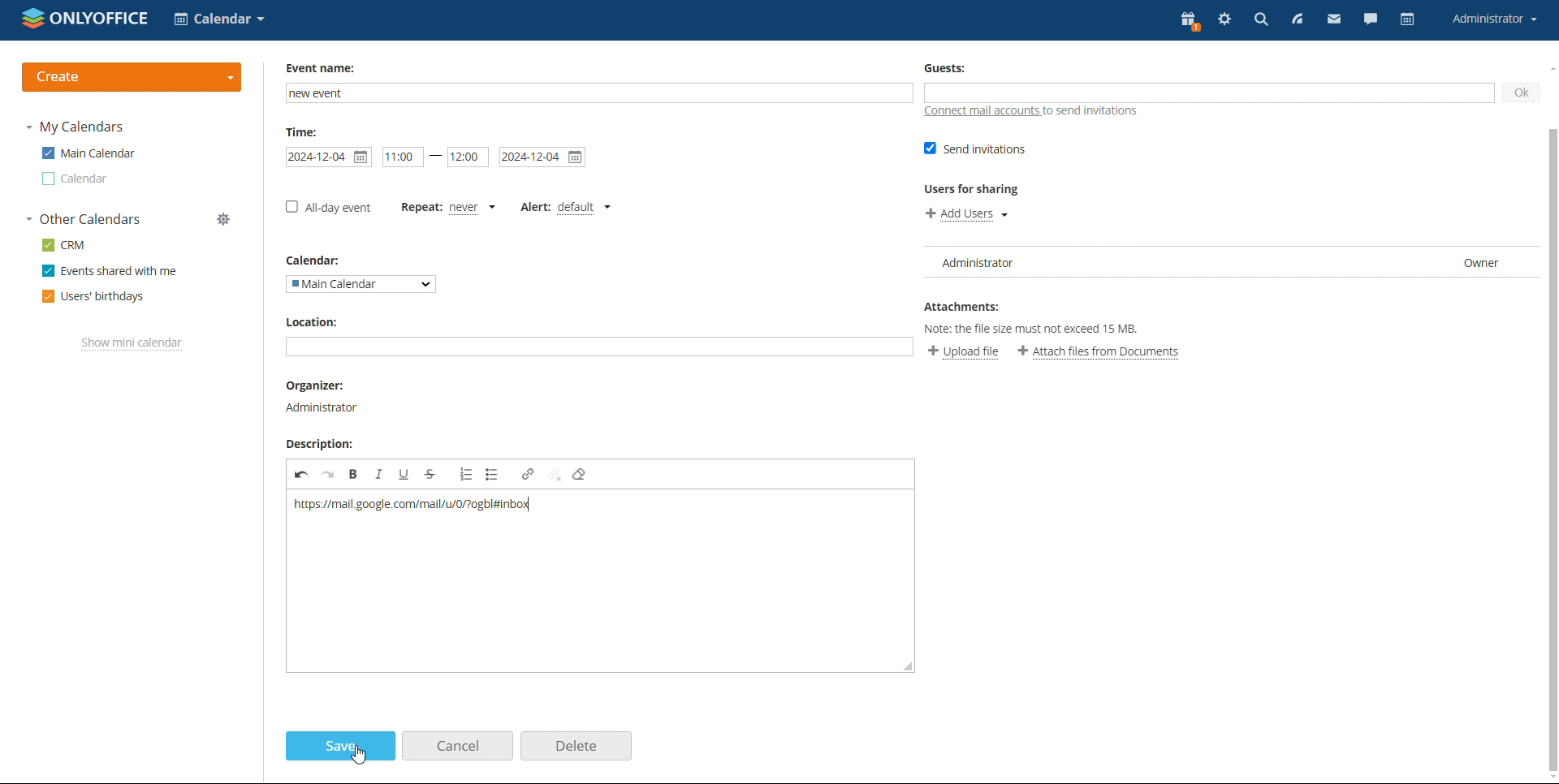 The width and height of the screenshot is (1559, 784). Describe the element at coordinates (329, 473) in the screenshot. I see `redo` at that location.